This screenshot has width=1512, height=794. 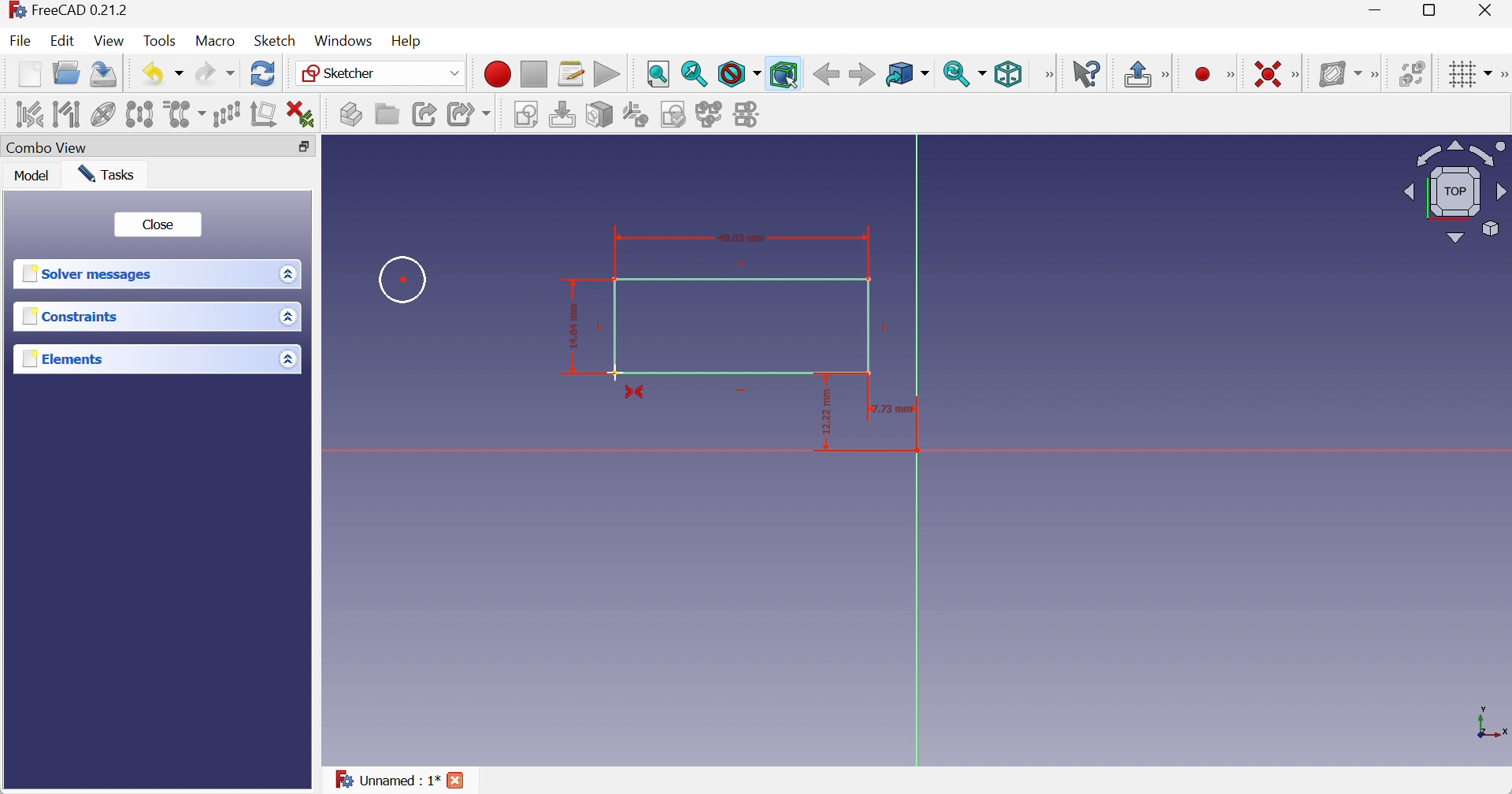 I want to click on Help, so click(x=408, y=42).